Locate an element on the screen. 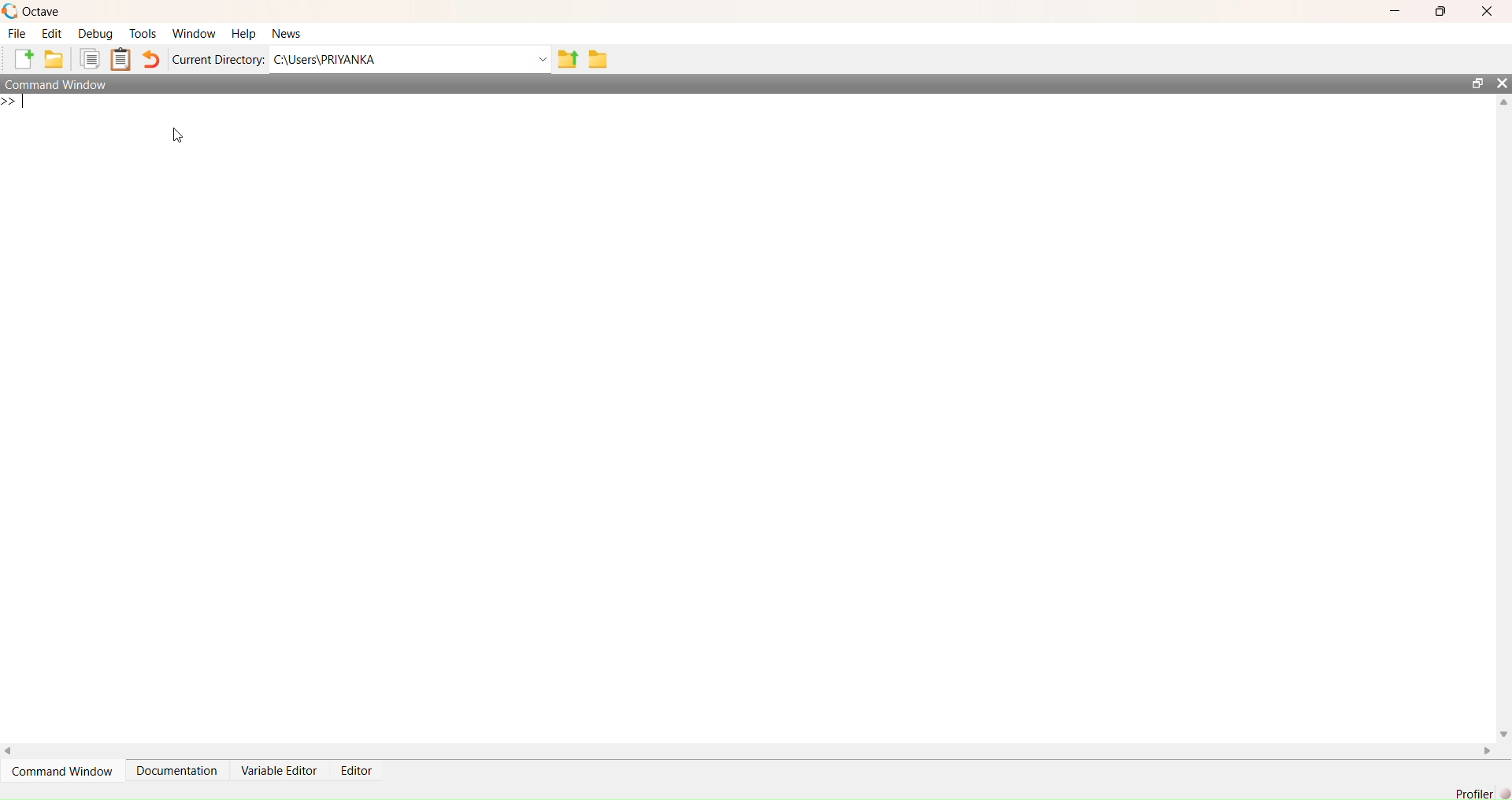 This screenshot has width=1512, height=800. Tools is located at coordinates (143, 31).